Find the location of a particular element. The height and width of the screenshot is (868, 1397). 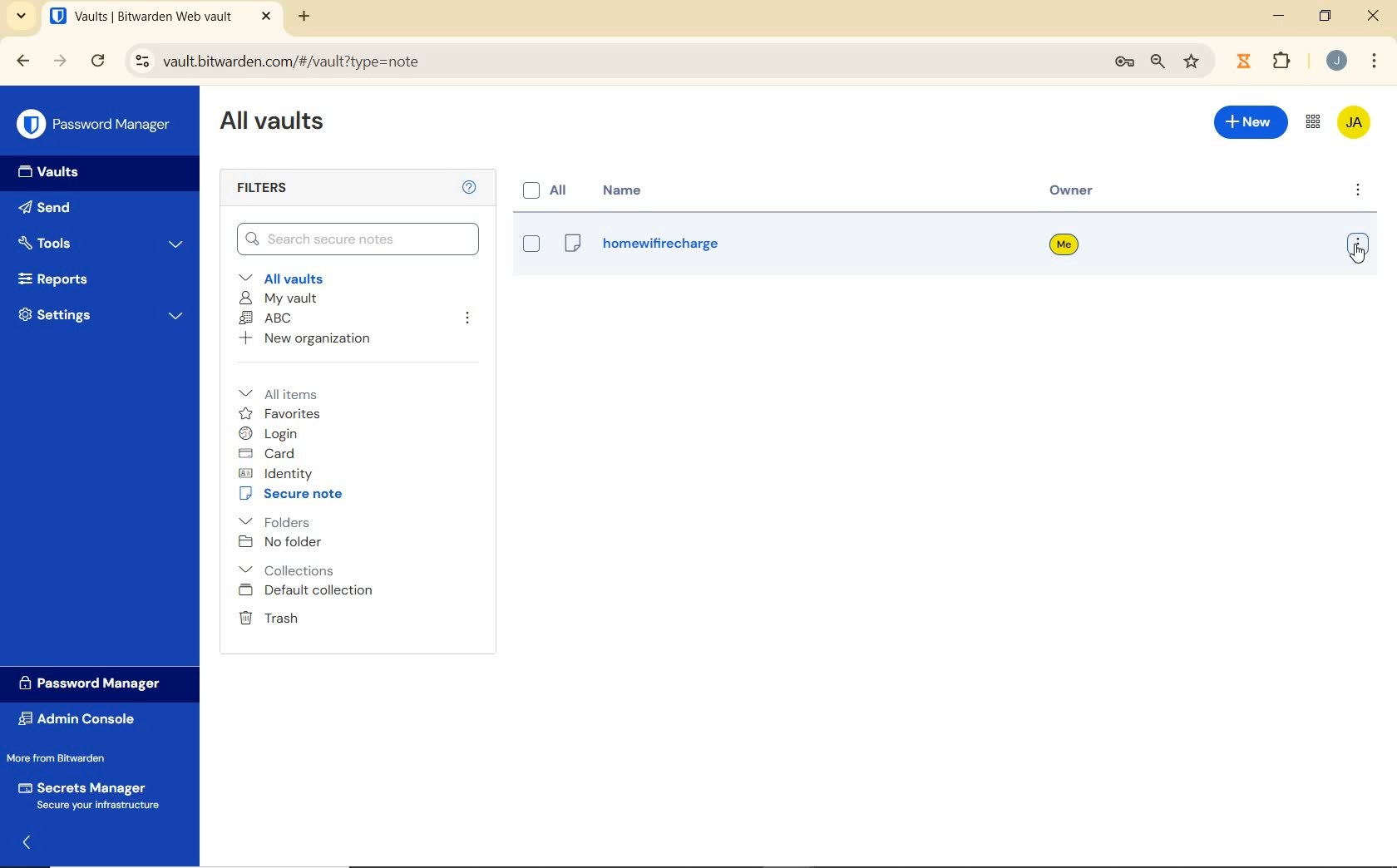

All vaults is located at coordinates (284, 277).